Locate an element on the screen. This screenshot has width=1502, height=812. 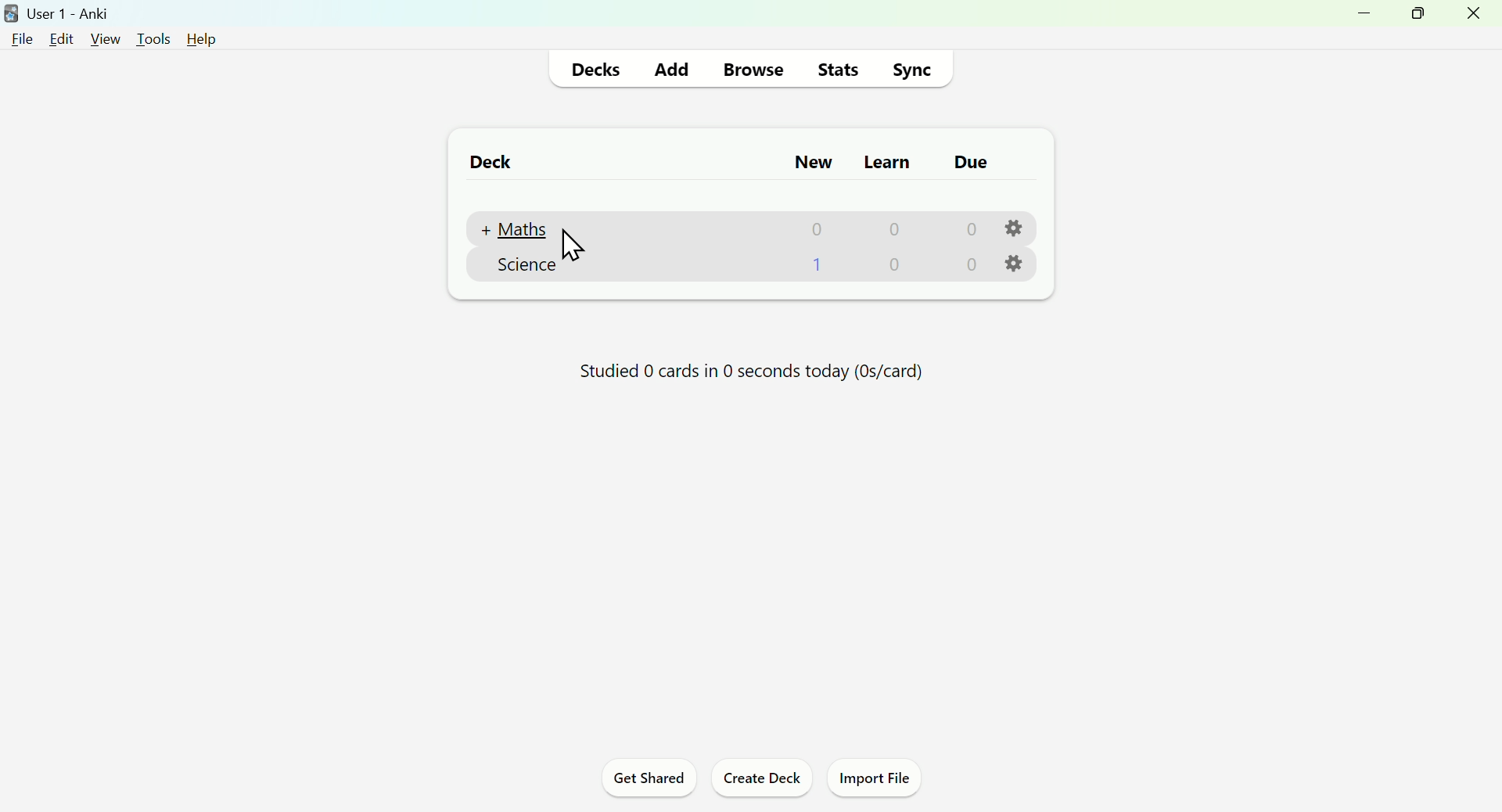
0 is located at coordinates (888, 231).